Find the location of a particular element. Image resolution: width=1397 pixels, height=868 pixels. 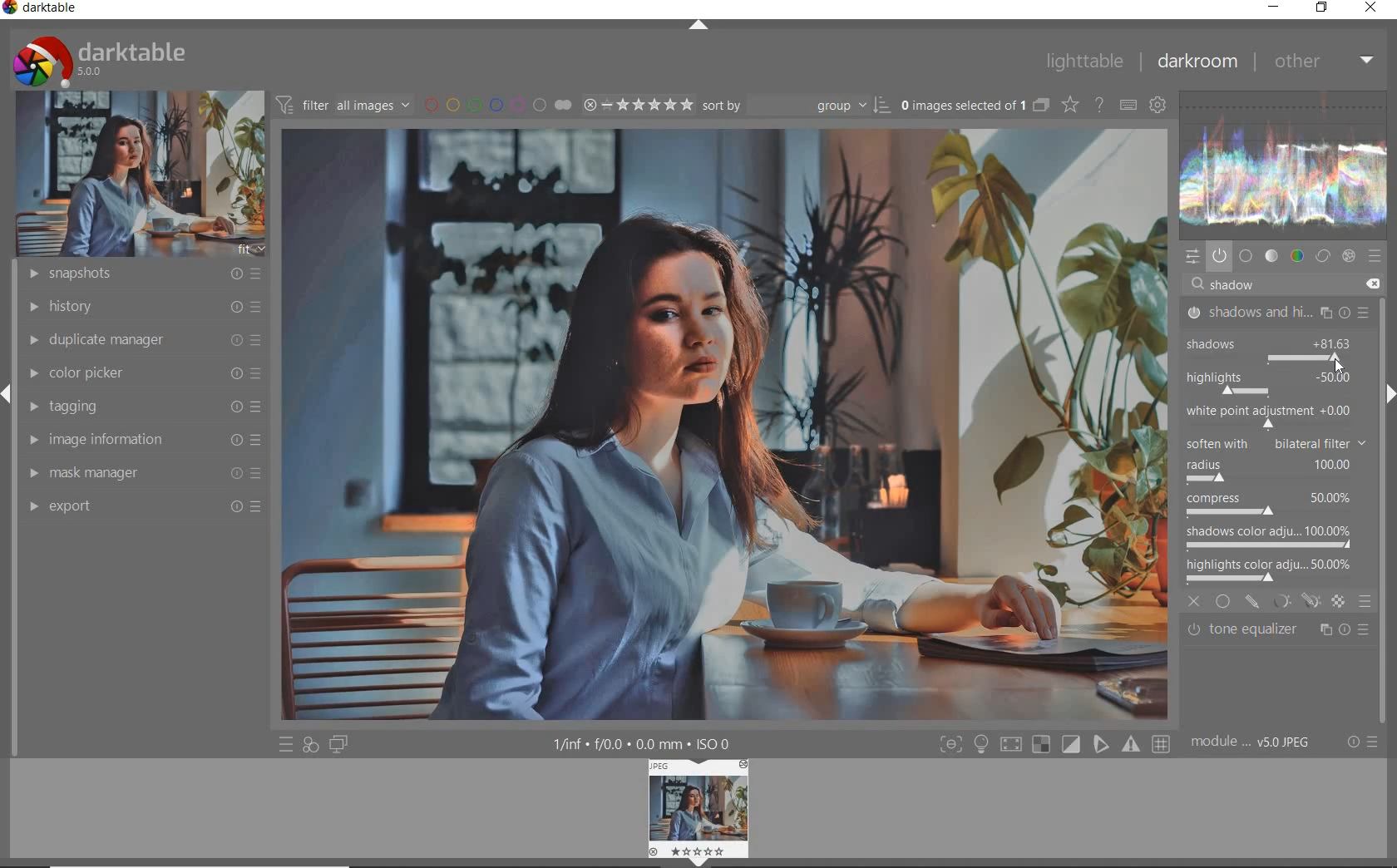

waveform is located at coordinates (1288, 165).